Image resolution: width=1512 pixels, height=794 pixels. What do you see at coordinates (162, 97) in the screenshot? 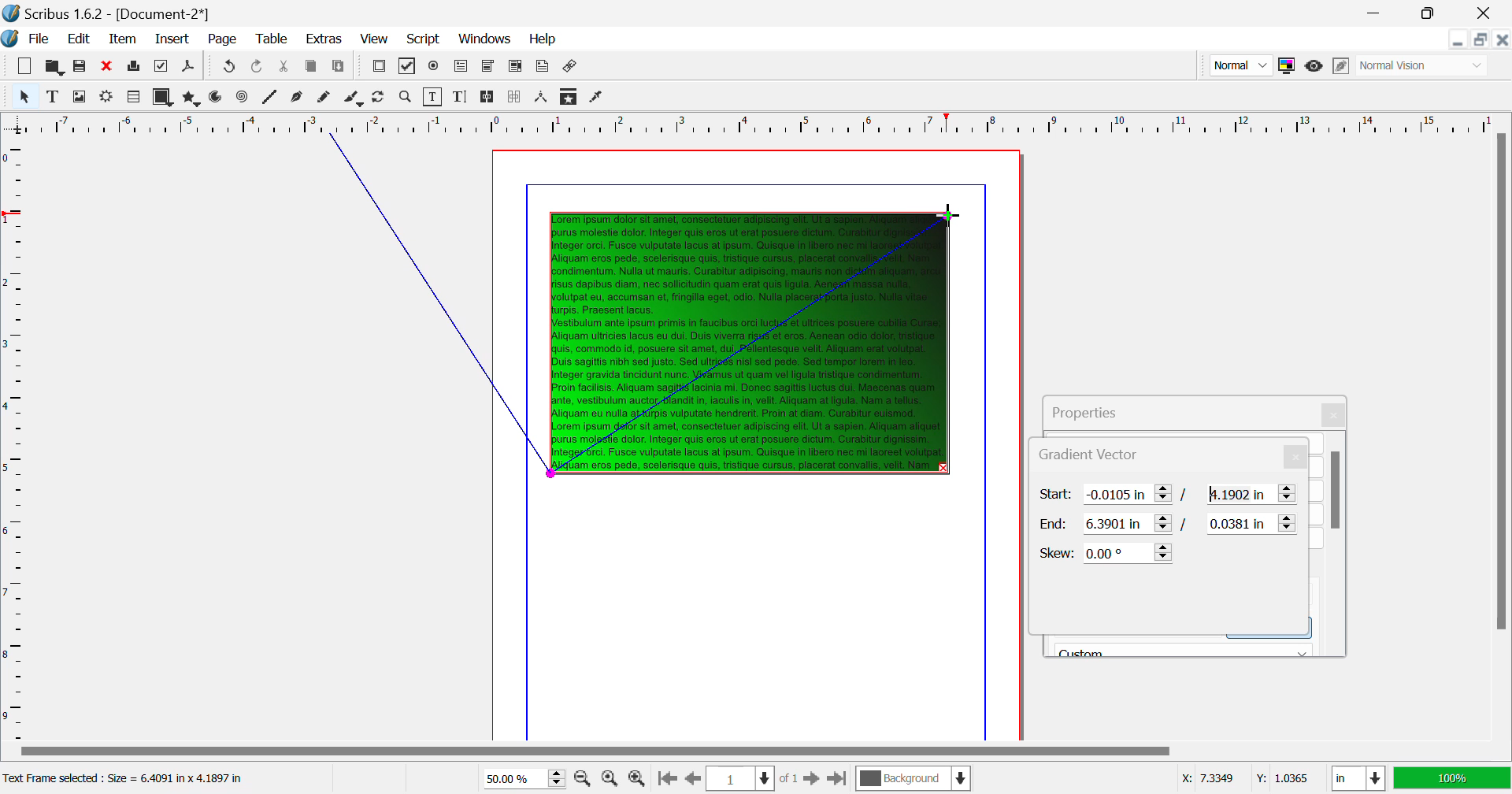
I see `Shapes` at bounding box center [162, 97].